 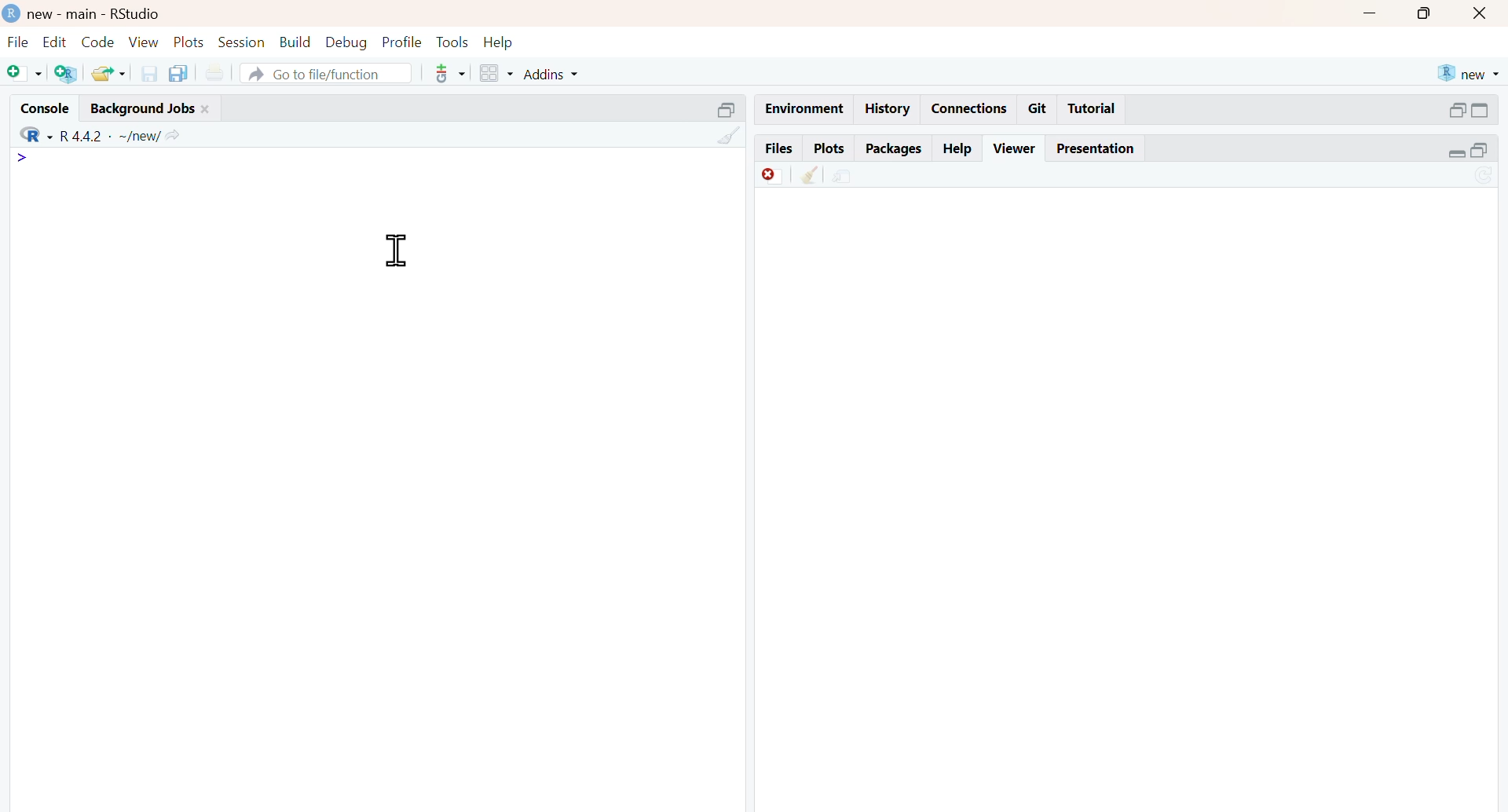 What do you see at coordinates (729, 135) in the screenshot?
I see `` at bounding box center [729, 135].